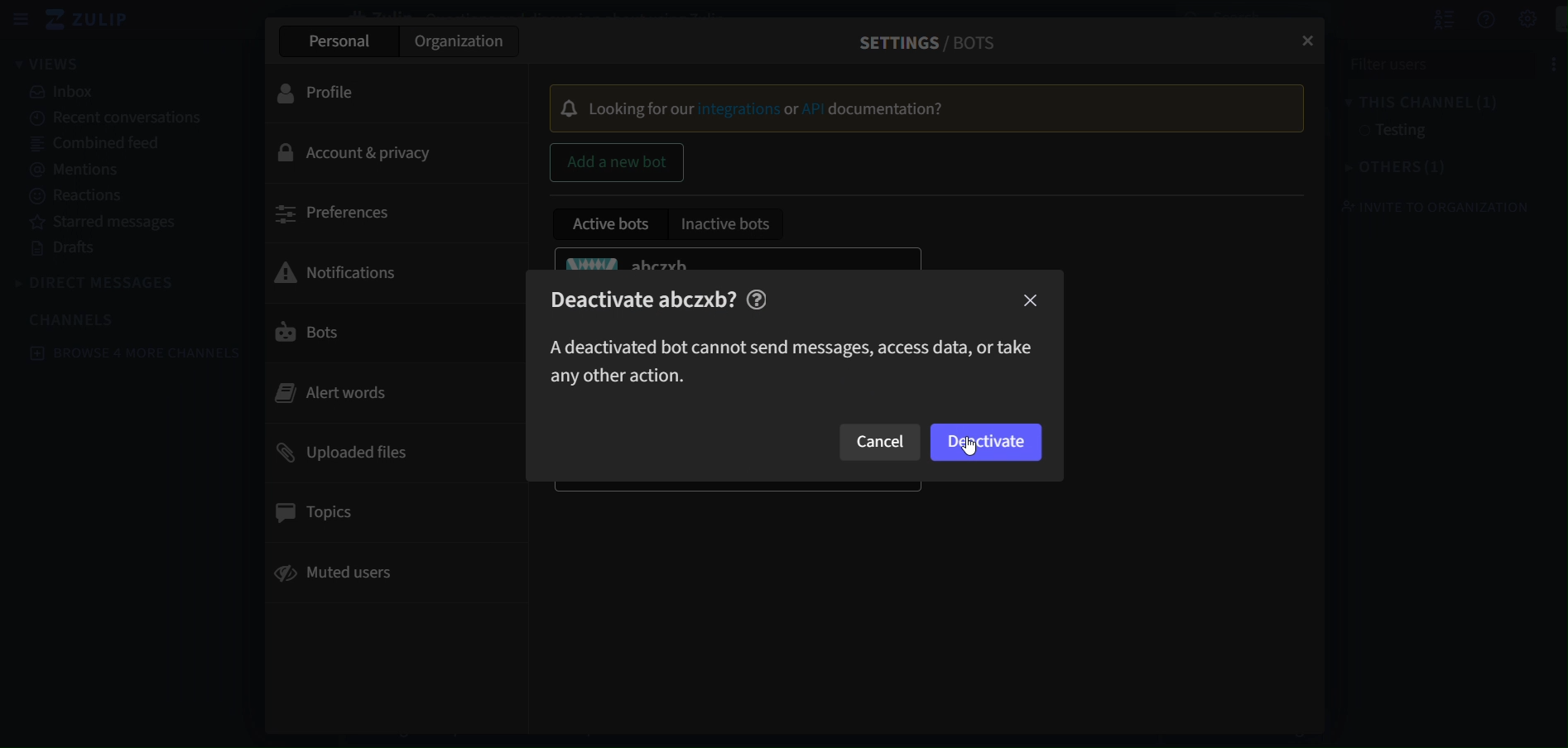 The image size is (1568, 748). What do you see at coordinates (89, 18) in the screenshot?
I see `zulip` at bounding box center [89, 18].